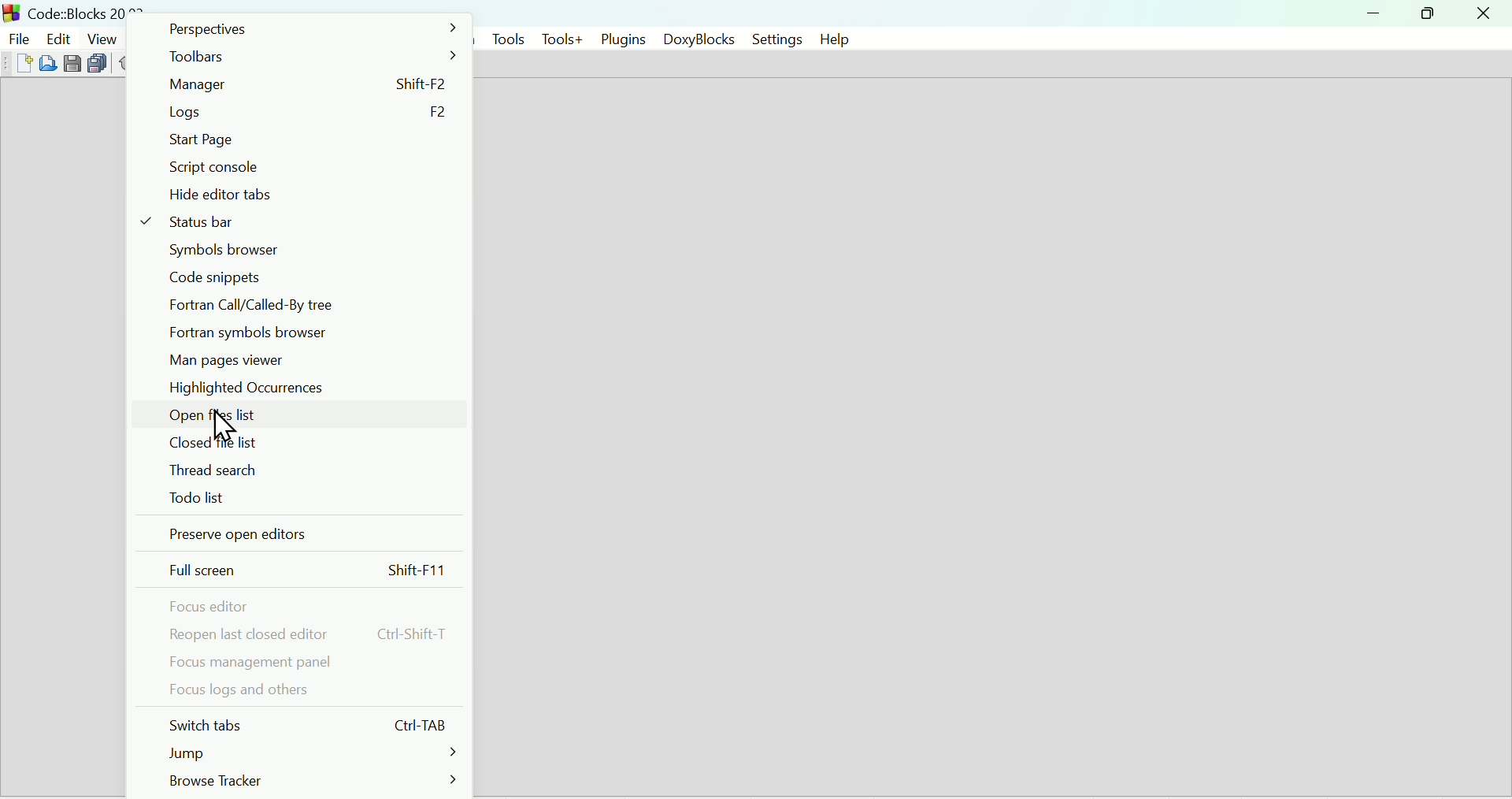 Image resolution: width=1512 pixels, height=799 pixels. I want to click on Browse tracker, so click(313, 781).